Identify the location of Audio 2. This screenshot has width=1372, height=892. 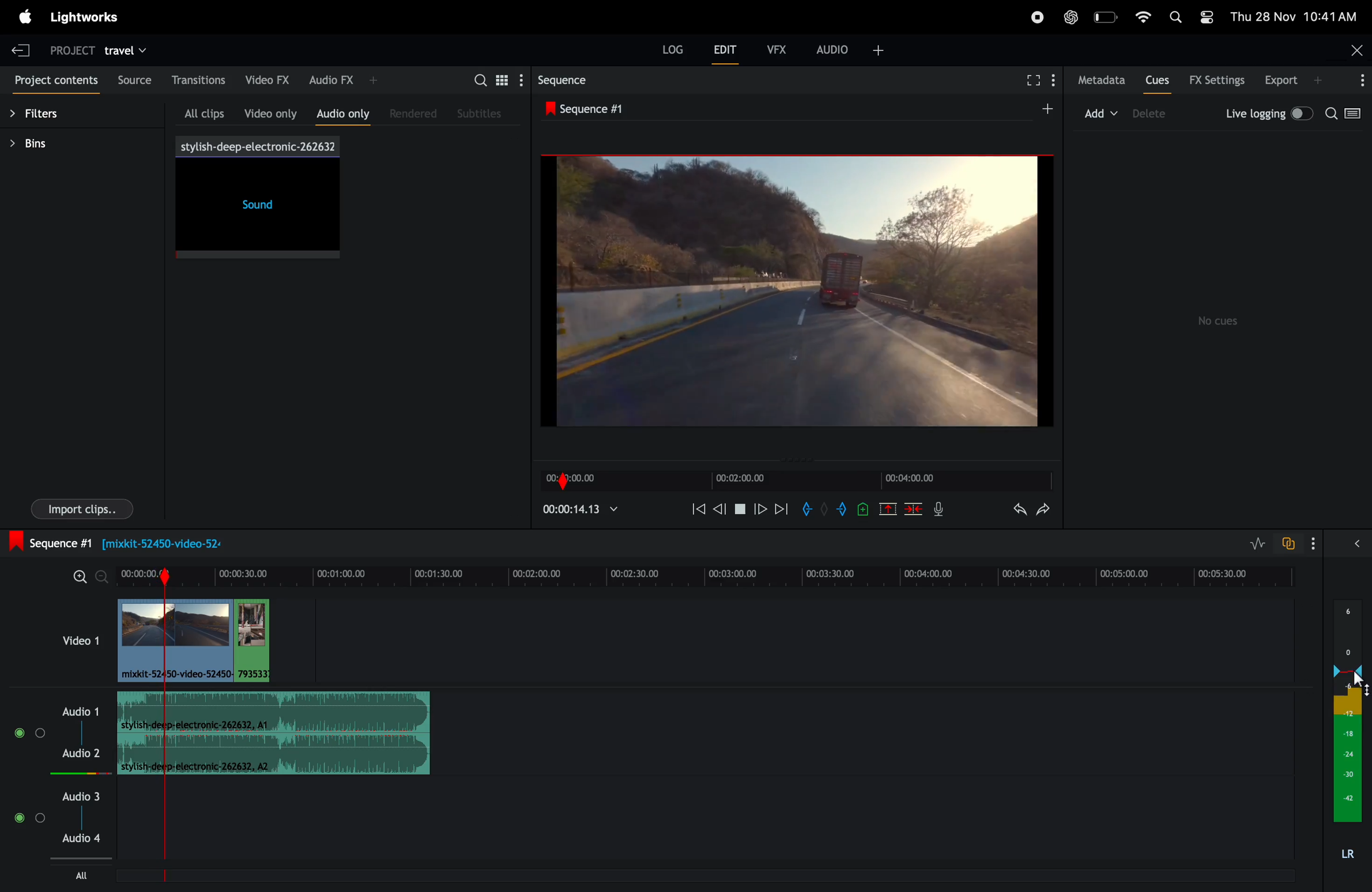
(84, 755).